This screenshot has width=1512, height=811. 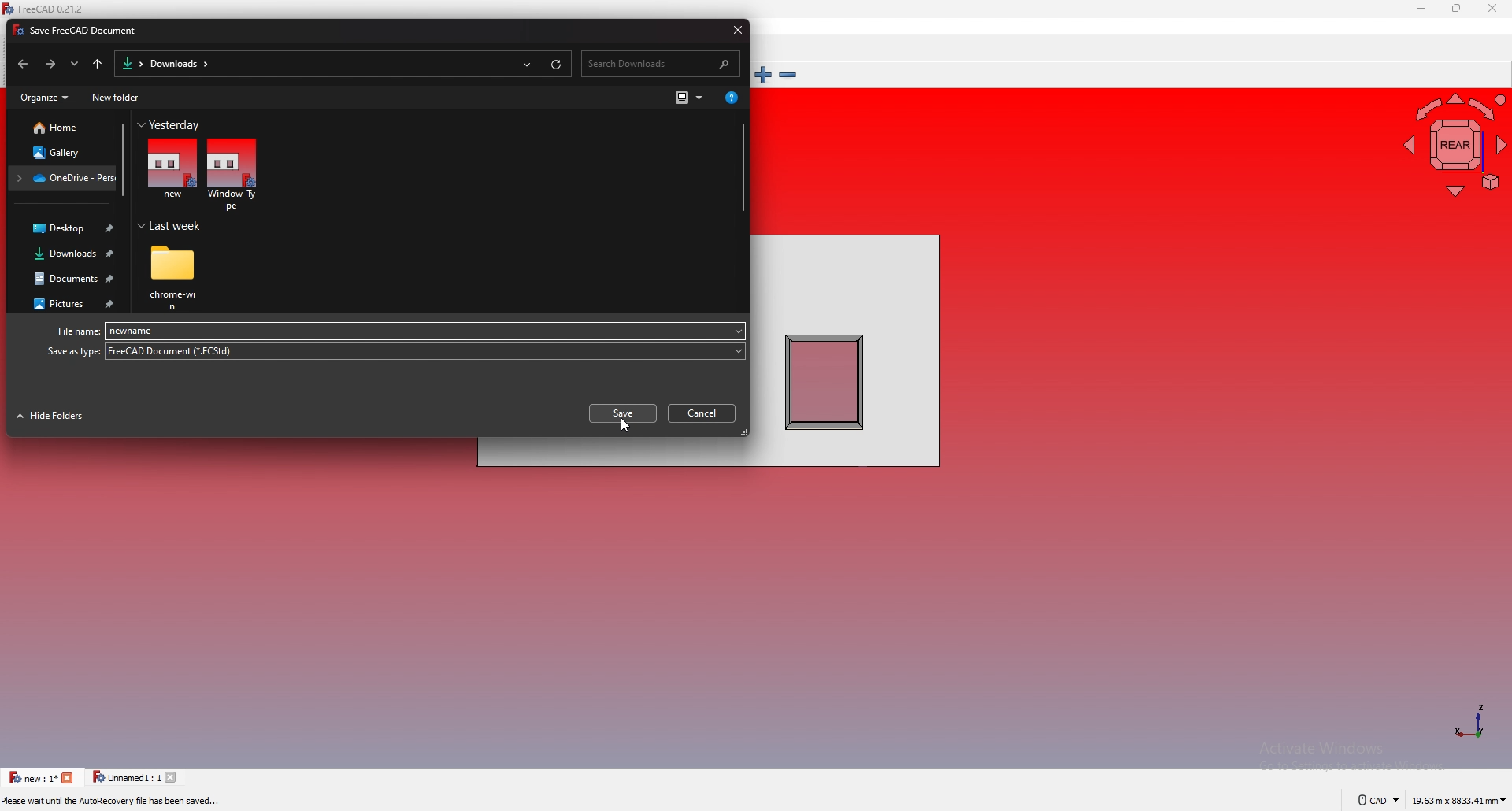 What do you see at coordinates (132, 777) in the screenshot?
I see `tab 2` at bounding box center [132, 777].